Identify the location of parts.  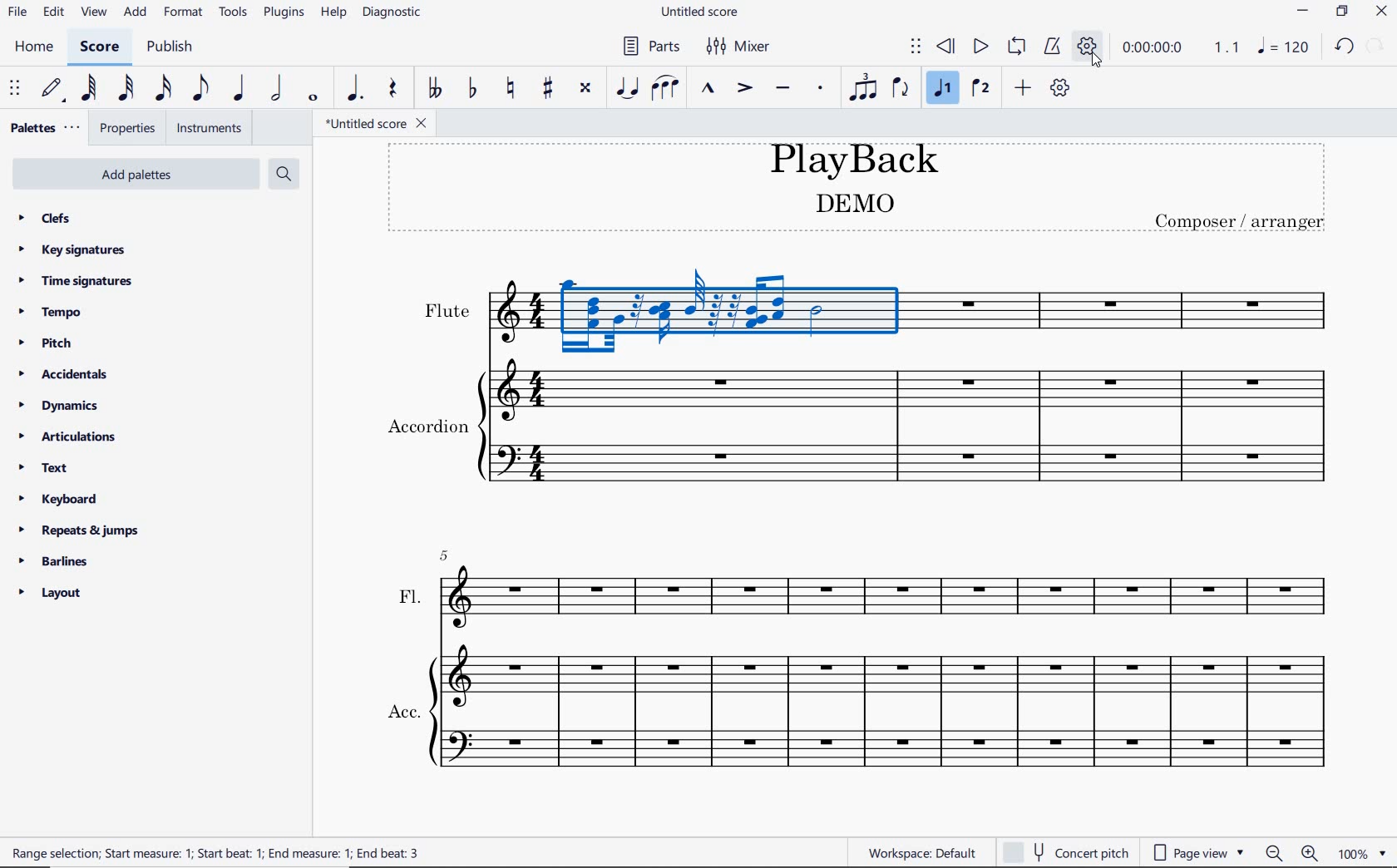
(652, 45).